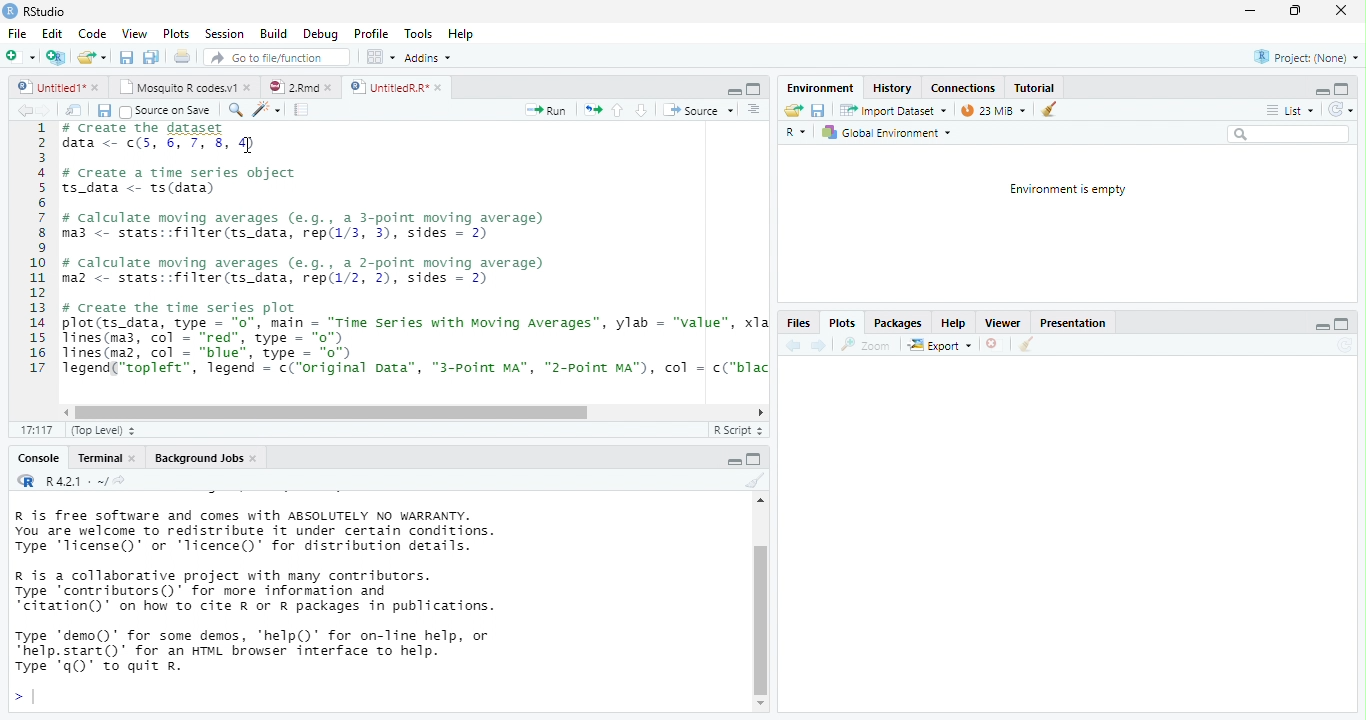 This screenshot has height=720, width=1366. I want to click on Go to file/function, so click(273, 57).